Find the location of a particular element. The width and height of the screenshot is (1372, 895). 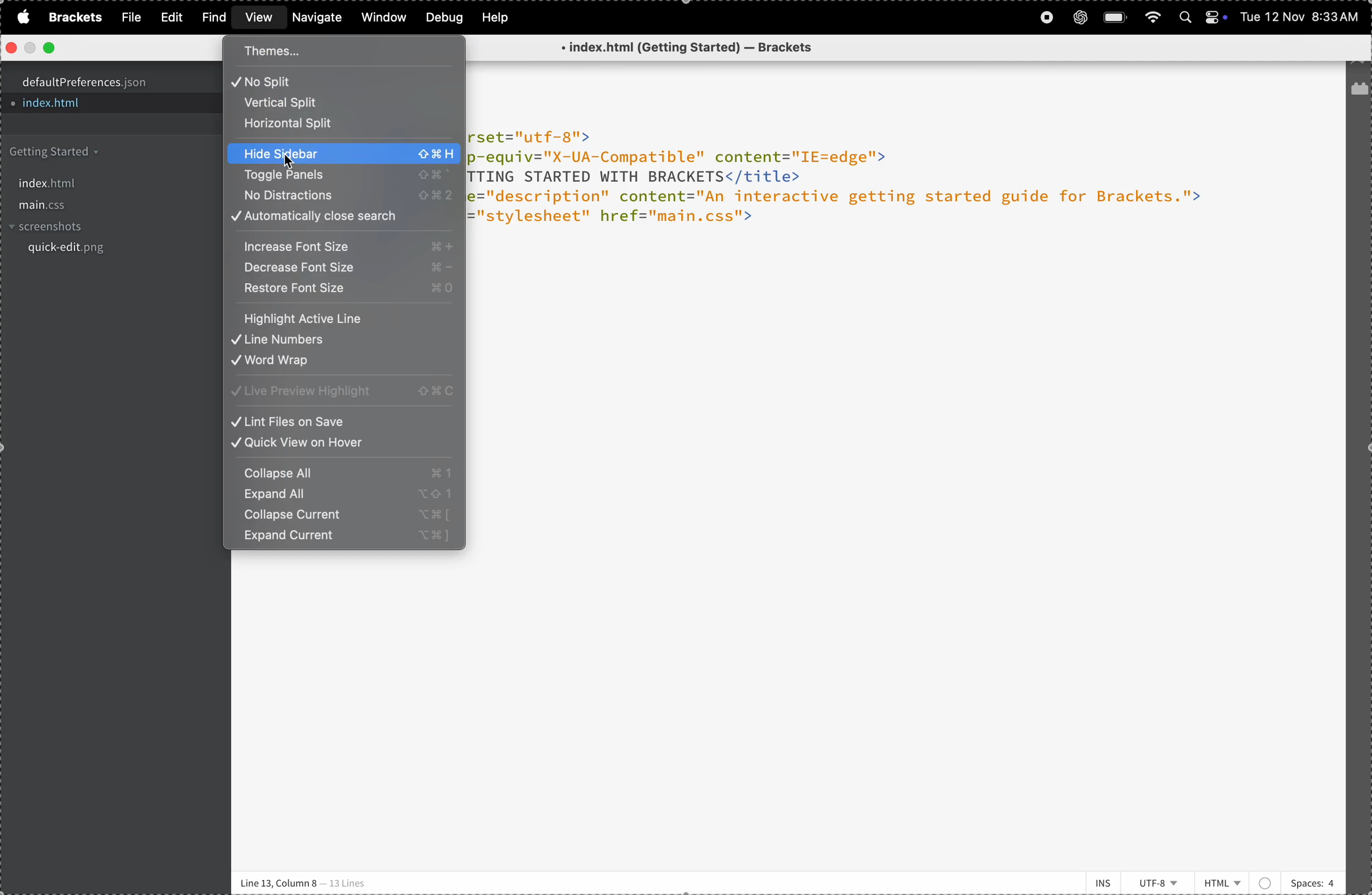

increase font size is located at coordinates (342, 247).